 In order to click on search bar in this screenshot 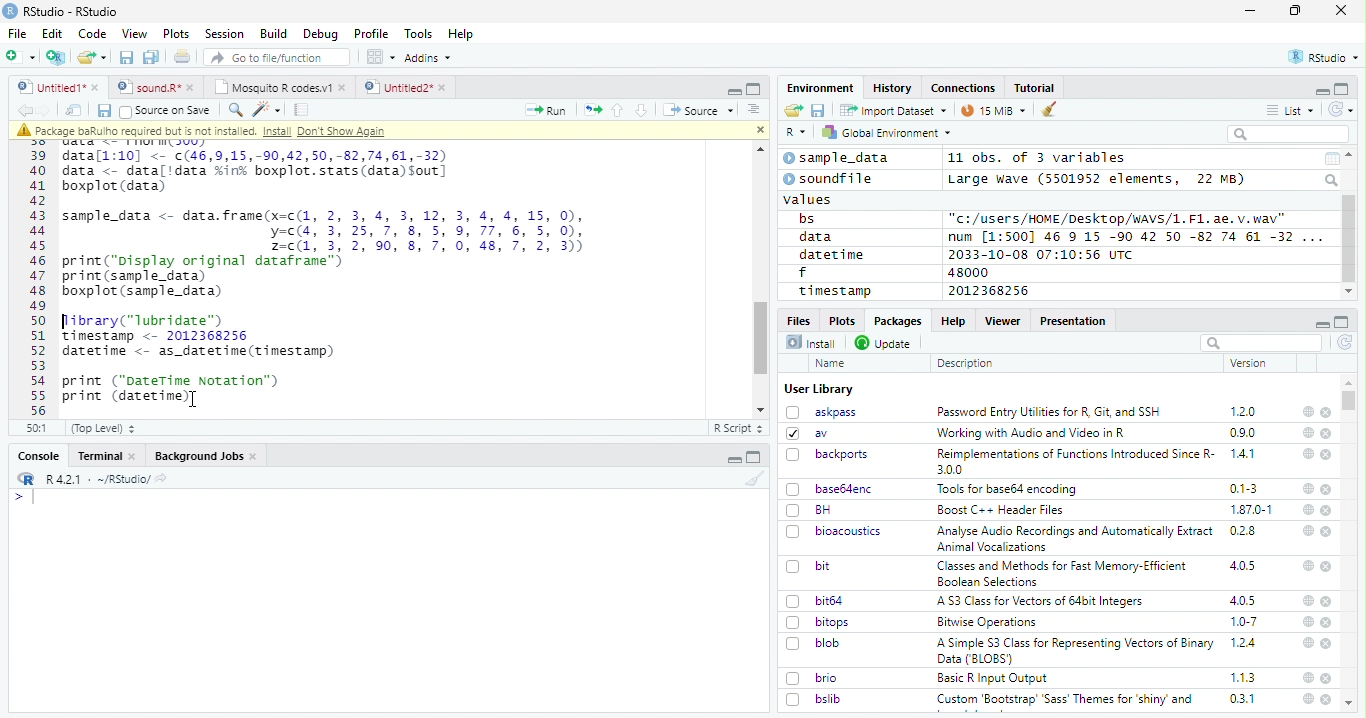, I will do `click(1259, 342)`.